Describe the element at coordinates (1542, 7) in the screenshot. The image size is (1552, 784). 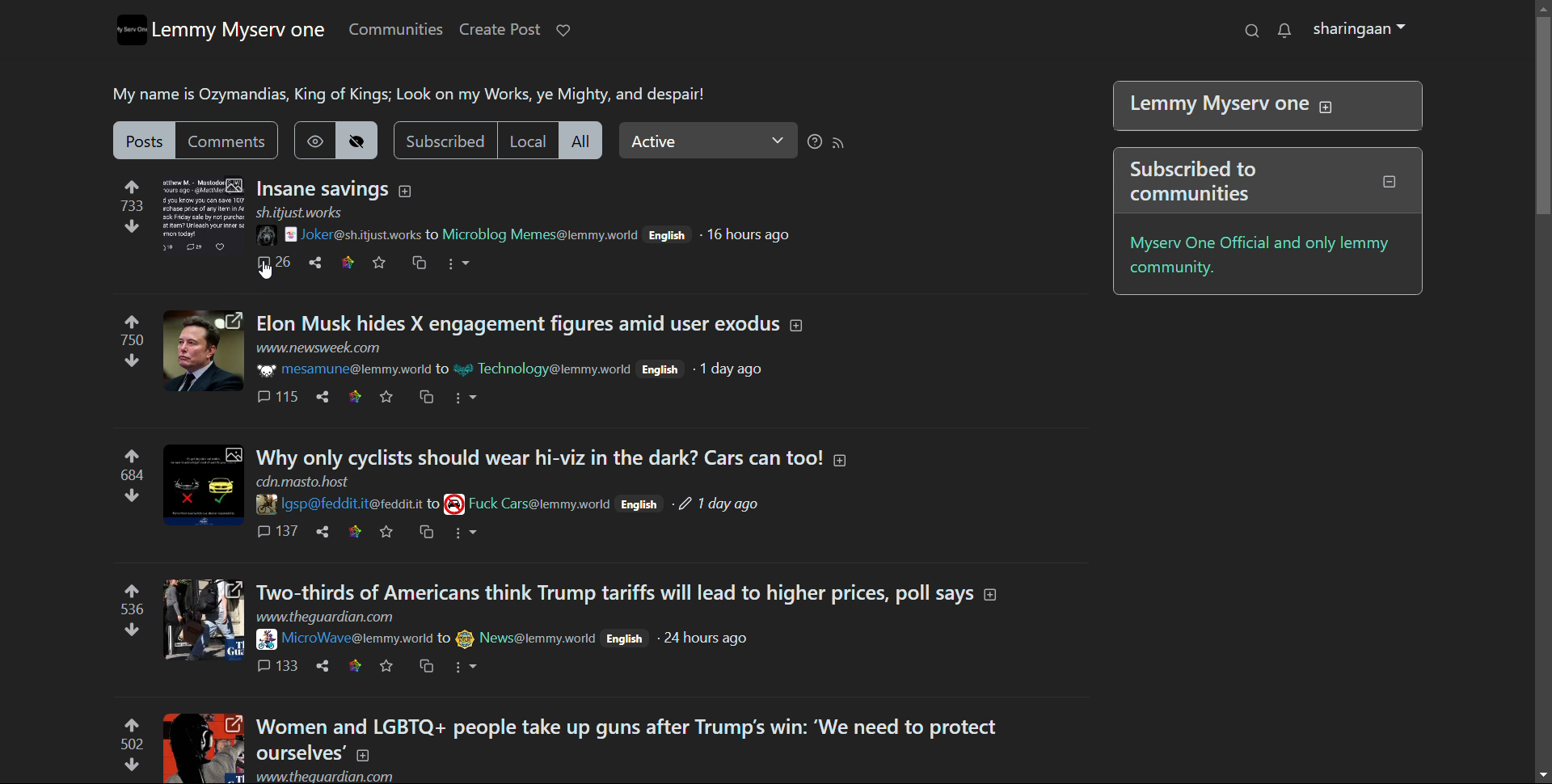
I see `scroll up` at that location.